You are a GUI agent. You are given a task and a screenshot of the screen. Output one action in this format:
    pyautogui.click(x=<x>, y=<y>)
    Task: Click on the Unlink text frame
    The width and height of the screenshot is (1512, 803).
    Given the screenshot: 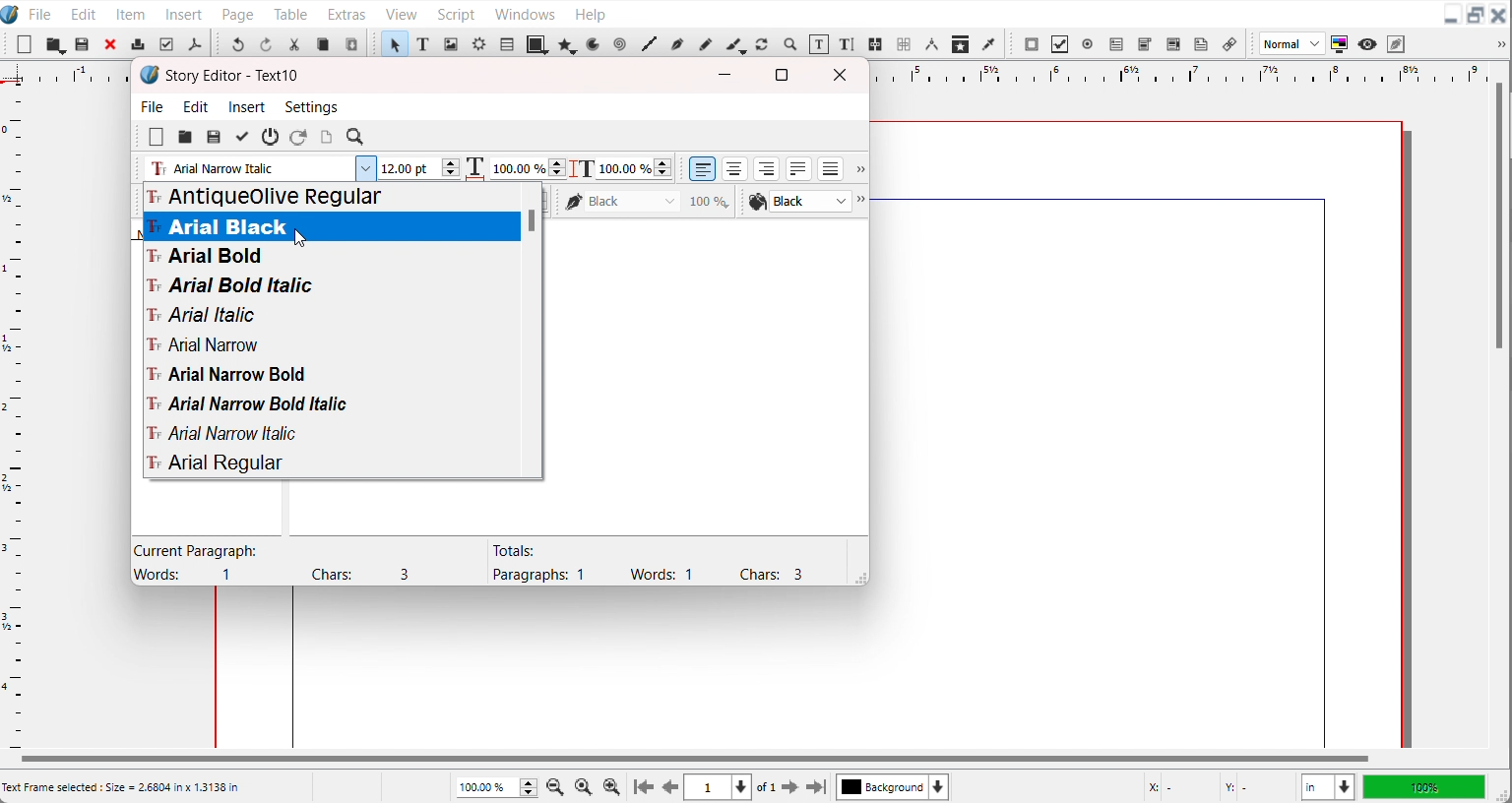 What is the action you would take?
    pyautogui.click(x=903, y=44)
    